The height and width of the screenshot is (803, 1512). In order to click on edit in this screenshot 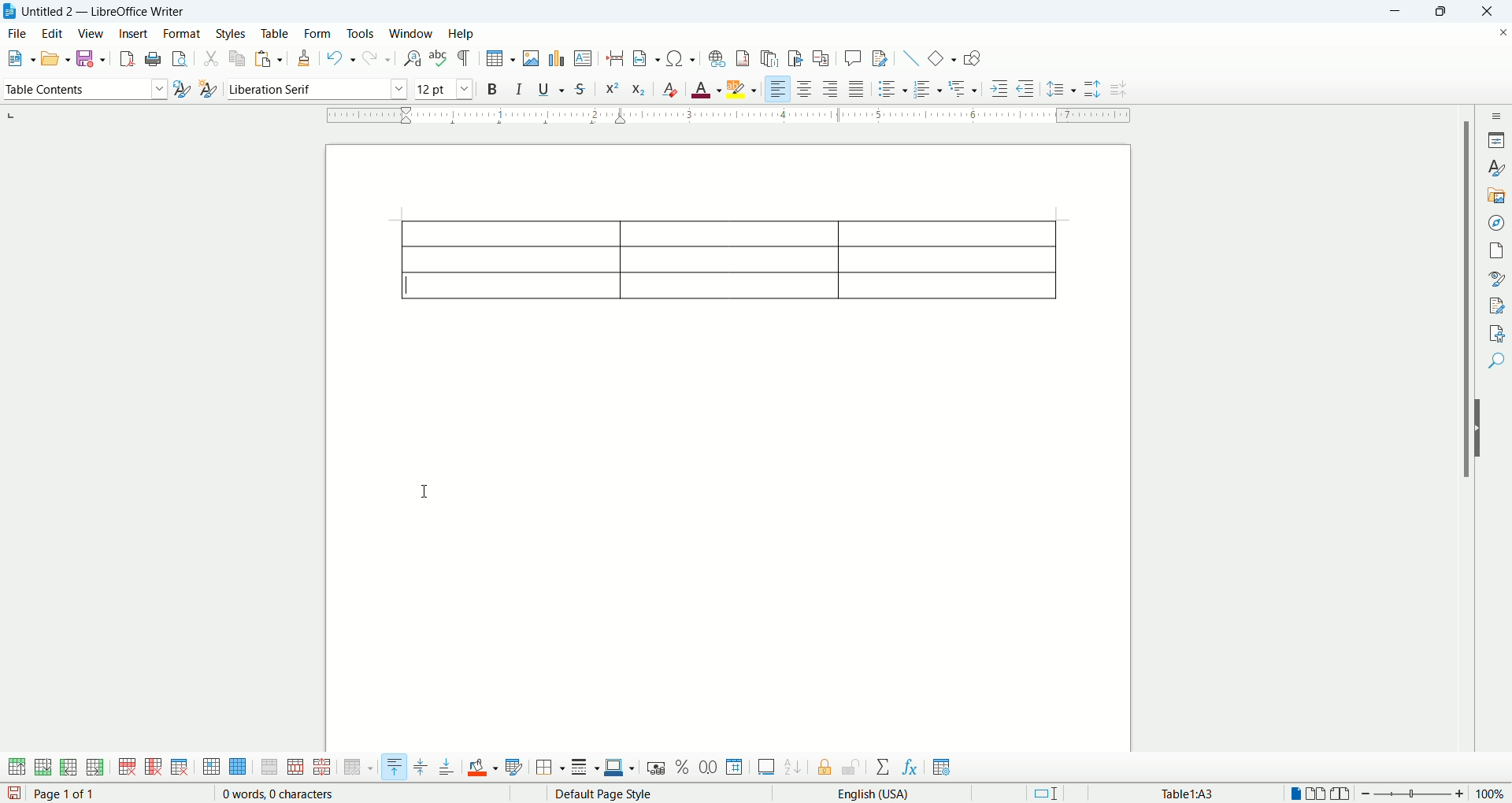, I will do `click(53, 34)`.